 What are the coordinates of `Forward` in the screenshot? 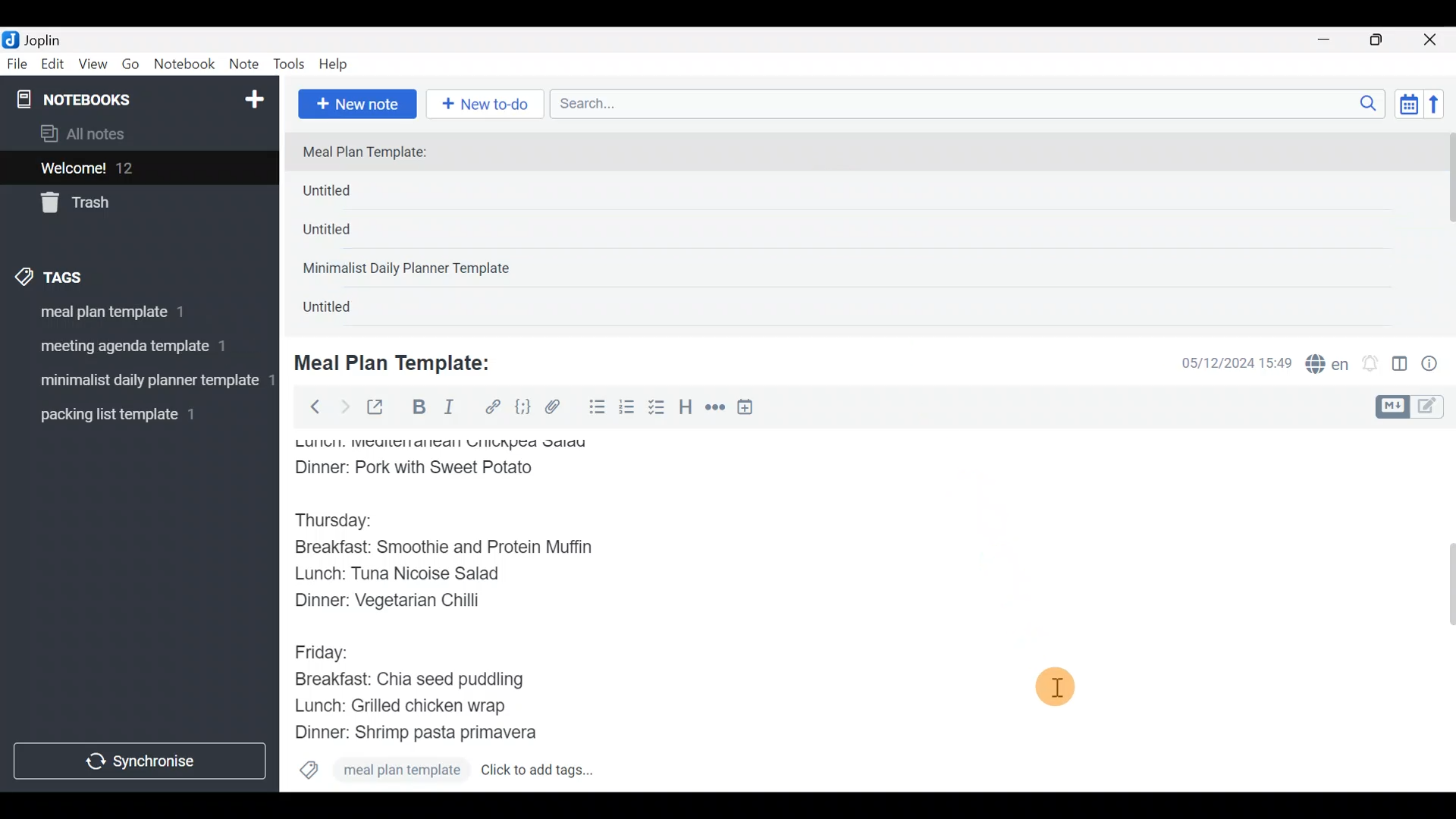 It's located at (344, 406).